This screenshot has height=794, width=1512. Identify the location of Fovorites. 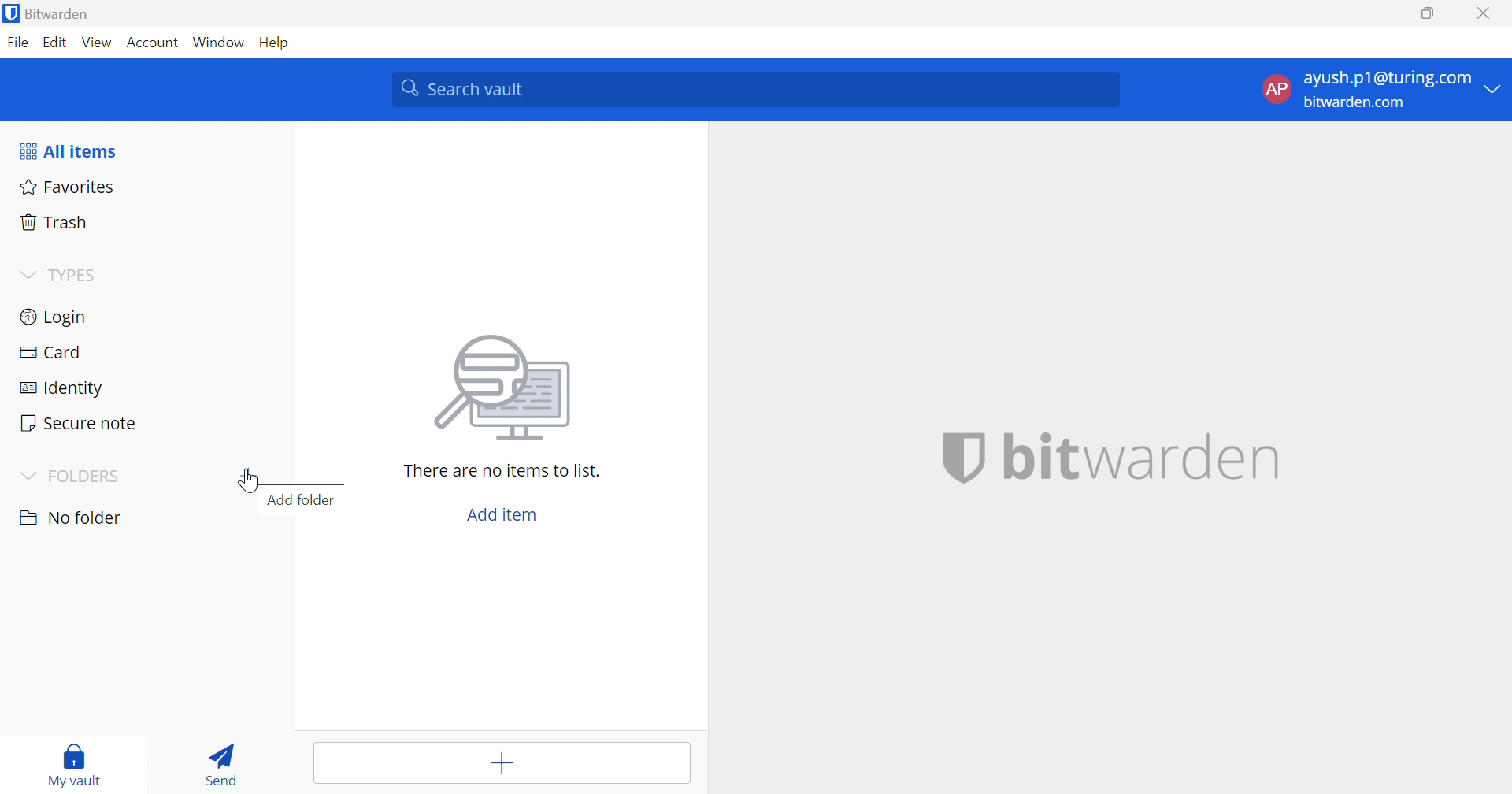
(65, 188).